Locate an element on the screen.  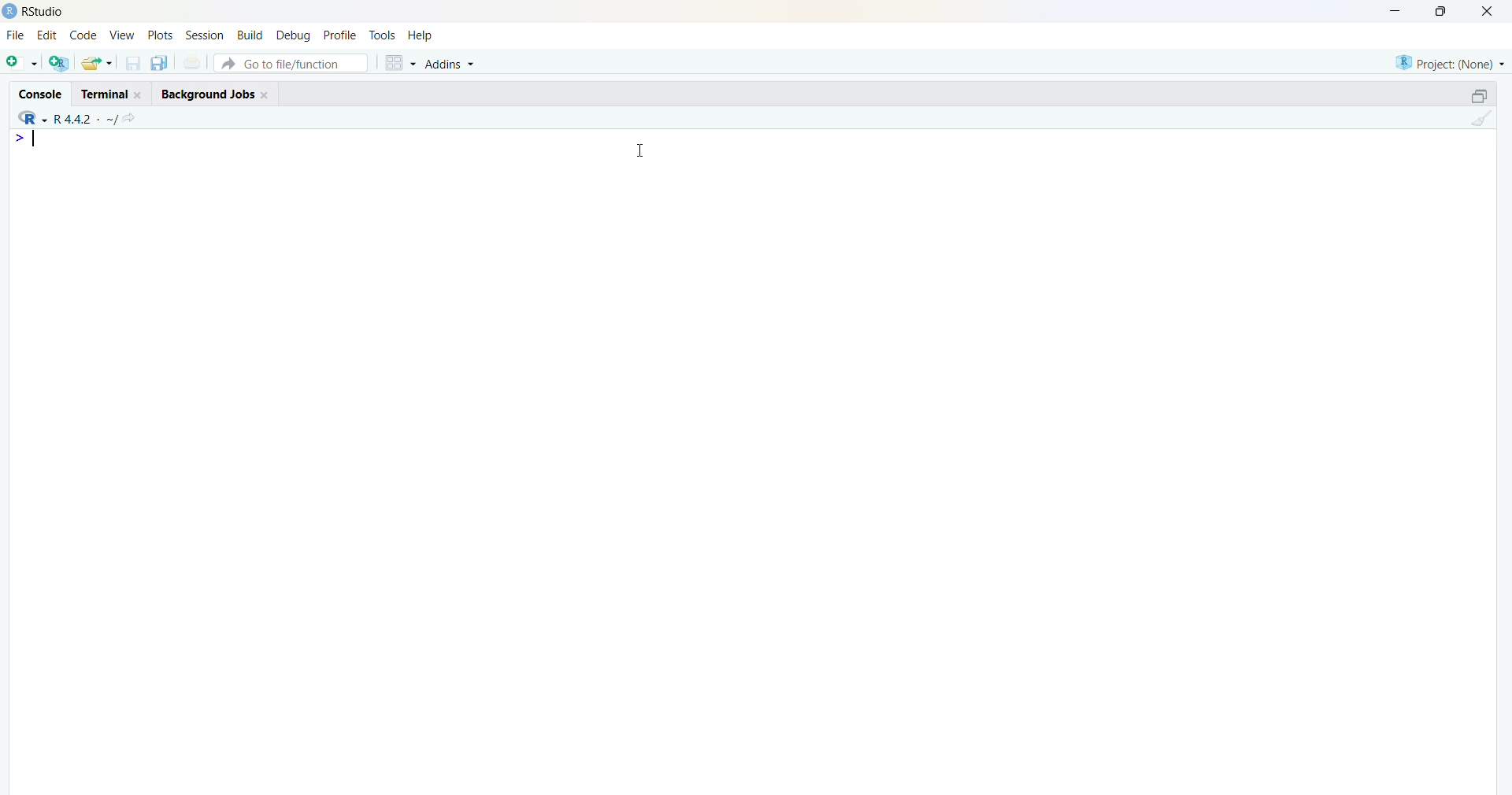
open an existing file is located at coordinates (96, 62).